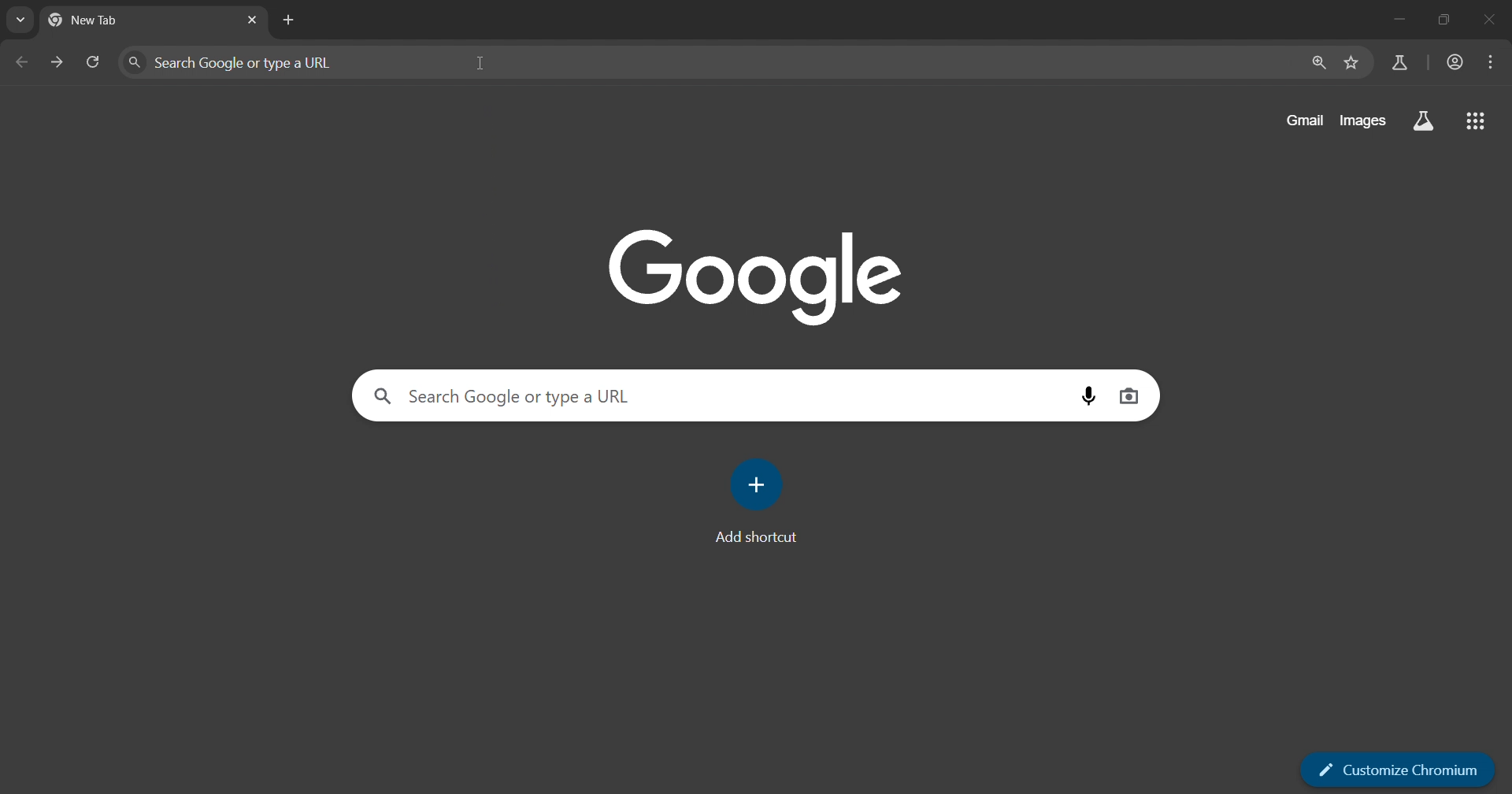  I want to click on options, so click(1489, 61).